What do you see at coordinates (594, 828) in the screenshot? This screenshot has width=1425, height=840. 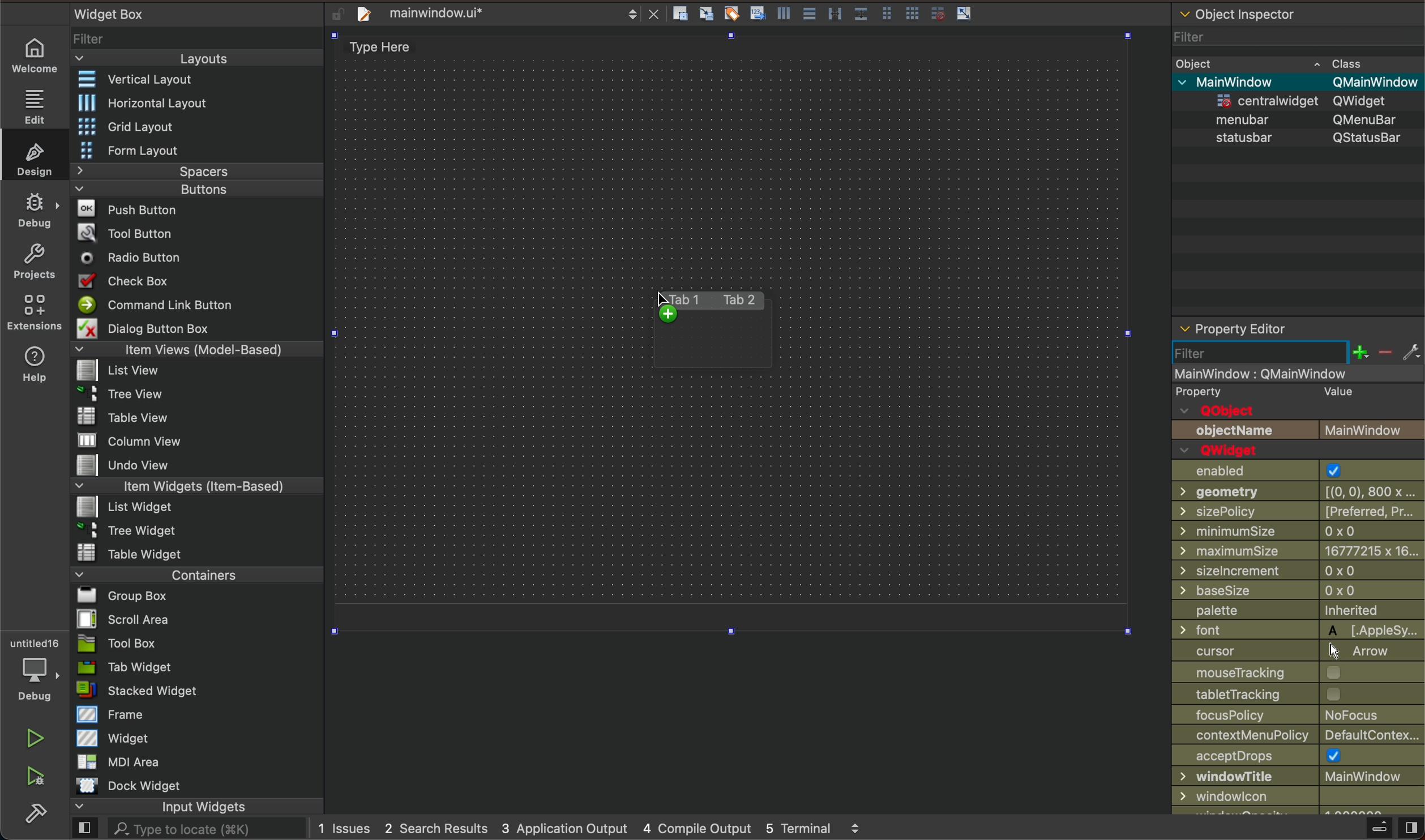 I see `logs` at bounding box center [594, 828].